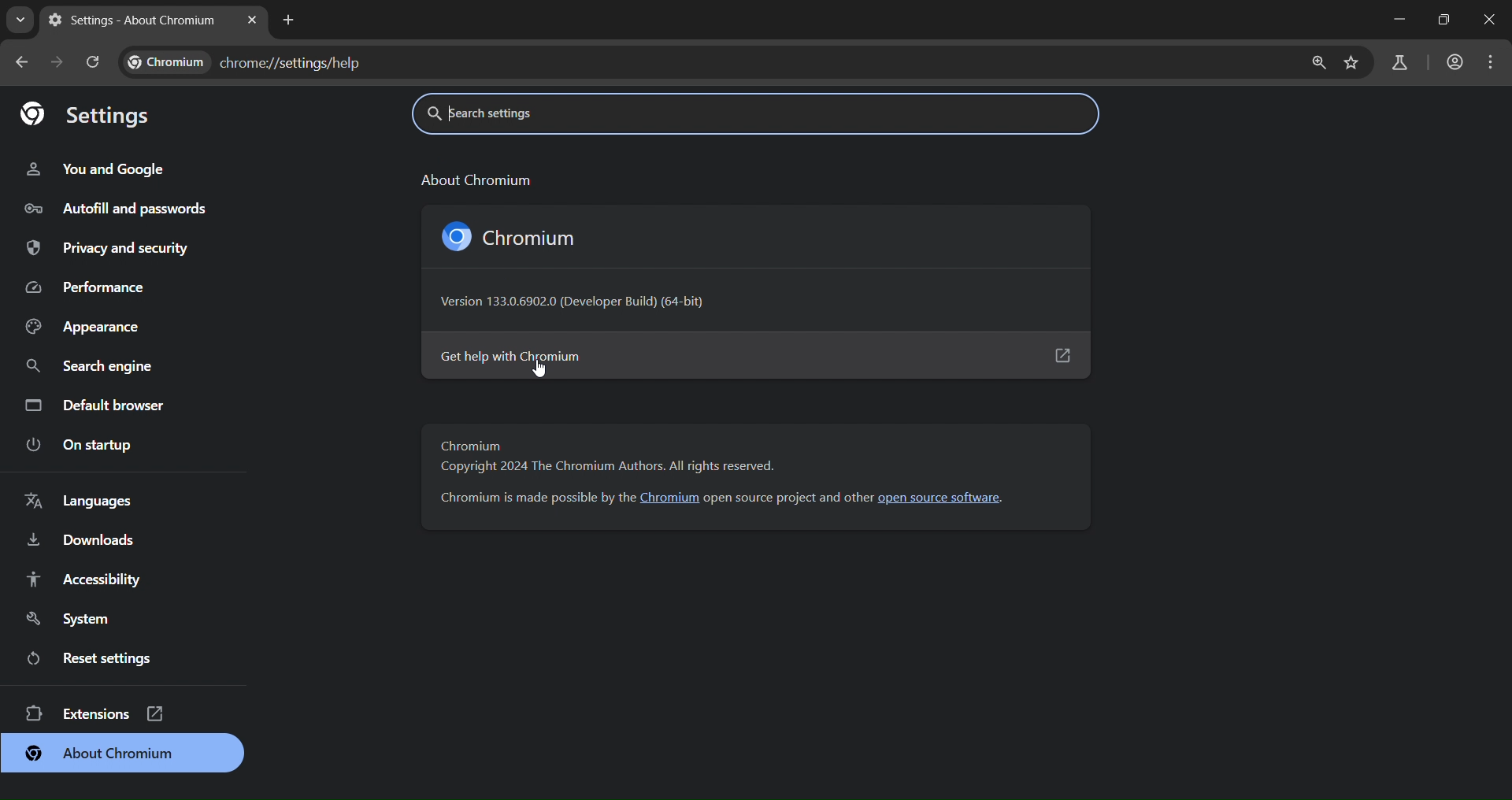 This screenshot has height=800, width=1512. Describe the element at coordinates (95, 168) in the screenshot. I see `you and google` at that location.